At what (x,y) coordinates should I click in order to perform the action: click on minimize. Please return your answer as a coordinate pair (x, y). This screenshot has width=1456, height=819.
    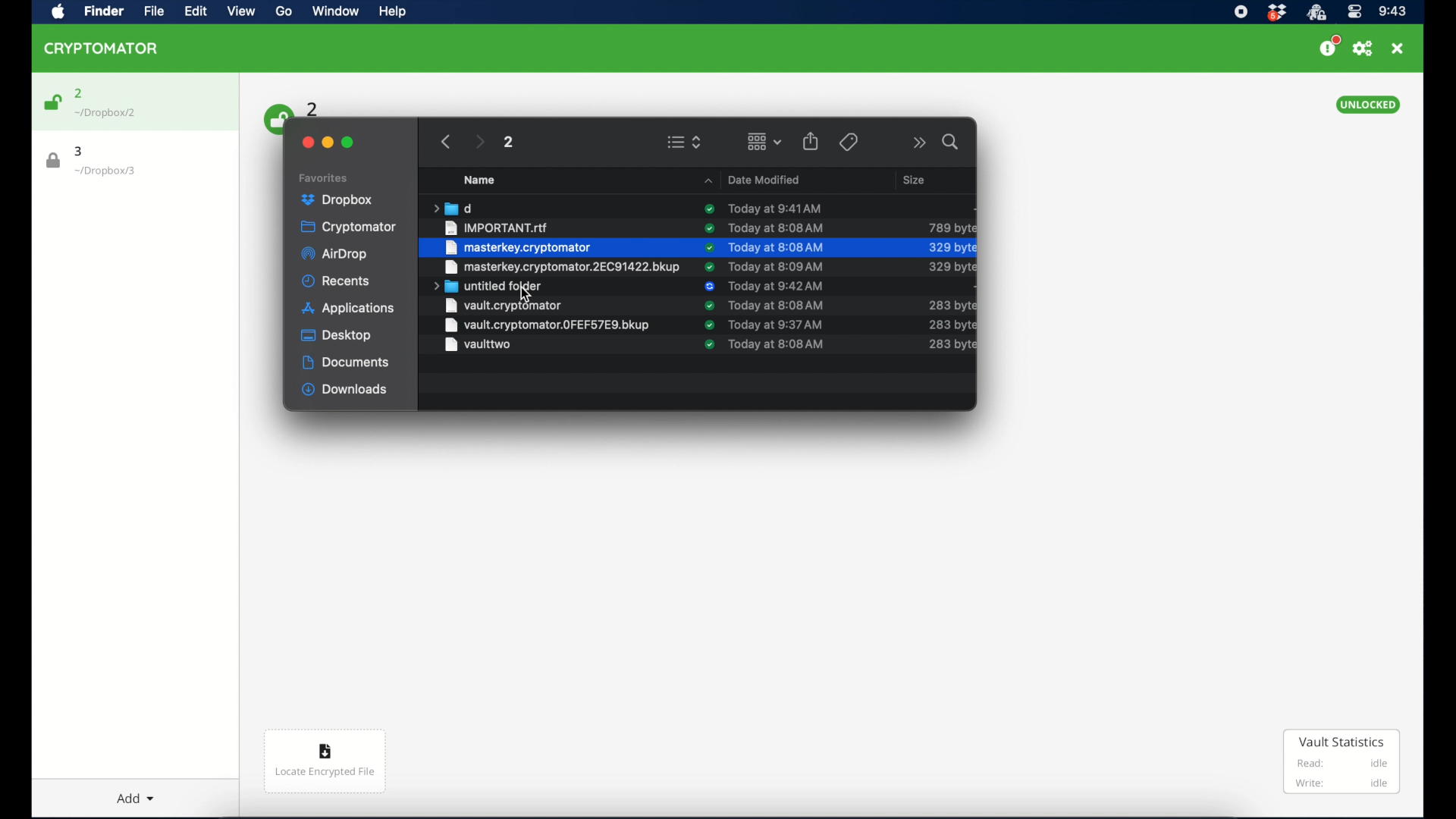
    Looking at the image, I should click on (328, 143).